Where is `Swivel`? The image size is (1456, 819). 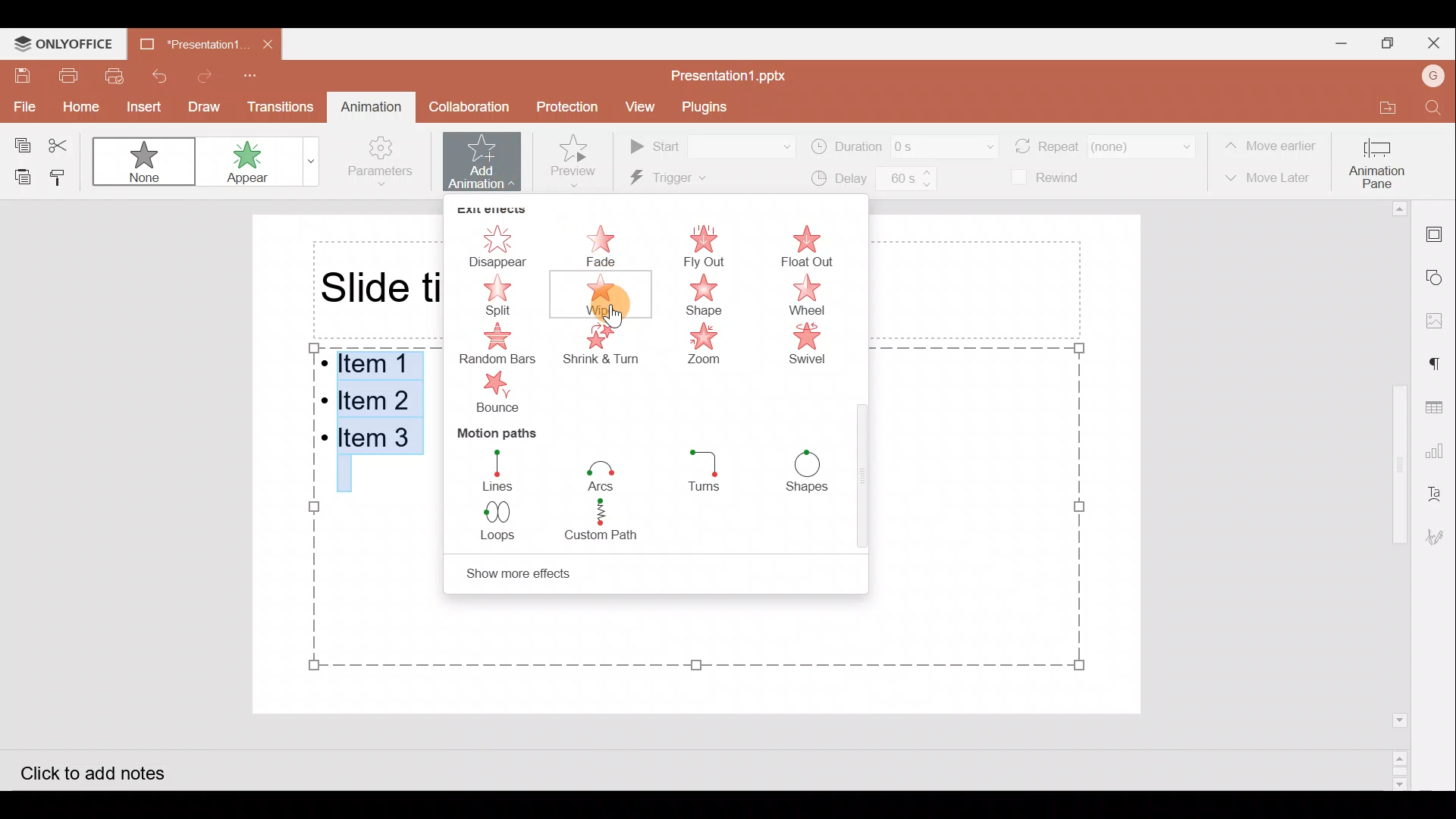
Swivel is located at coordinates (819, 344).